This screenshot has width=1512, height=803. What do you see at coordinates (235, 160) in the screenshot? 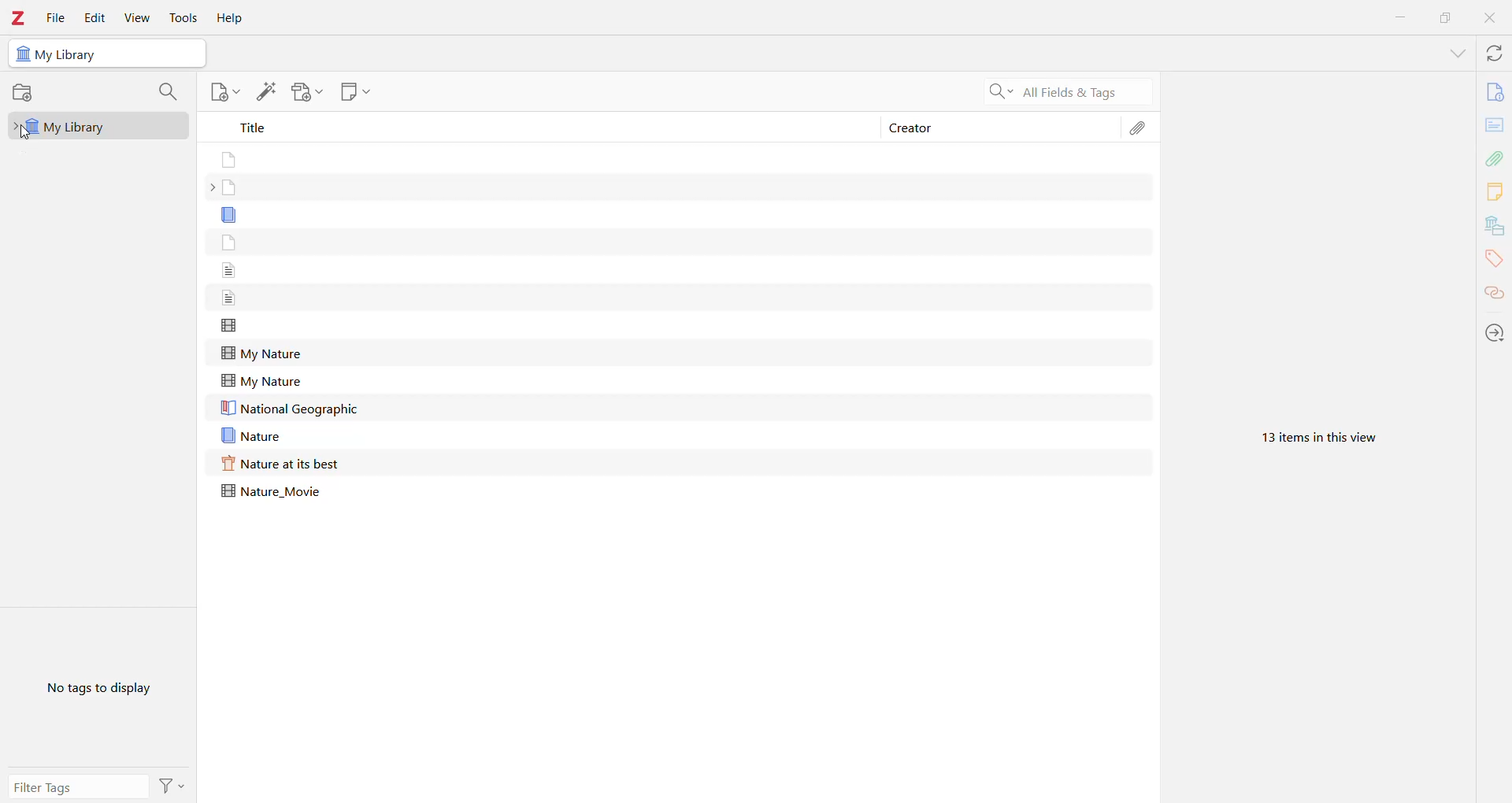
I see `Without title file` at bounding box center [235, 160].